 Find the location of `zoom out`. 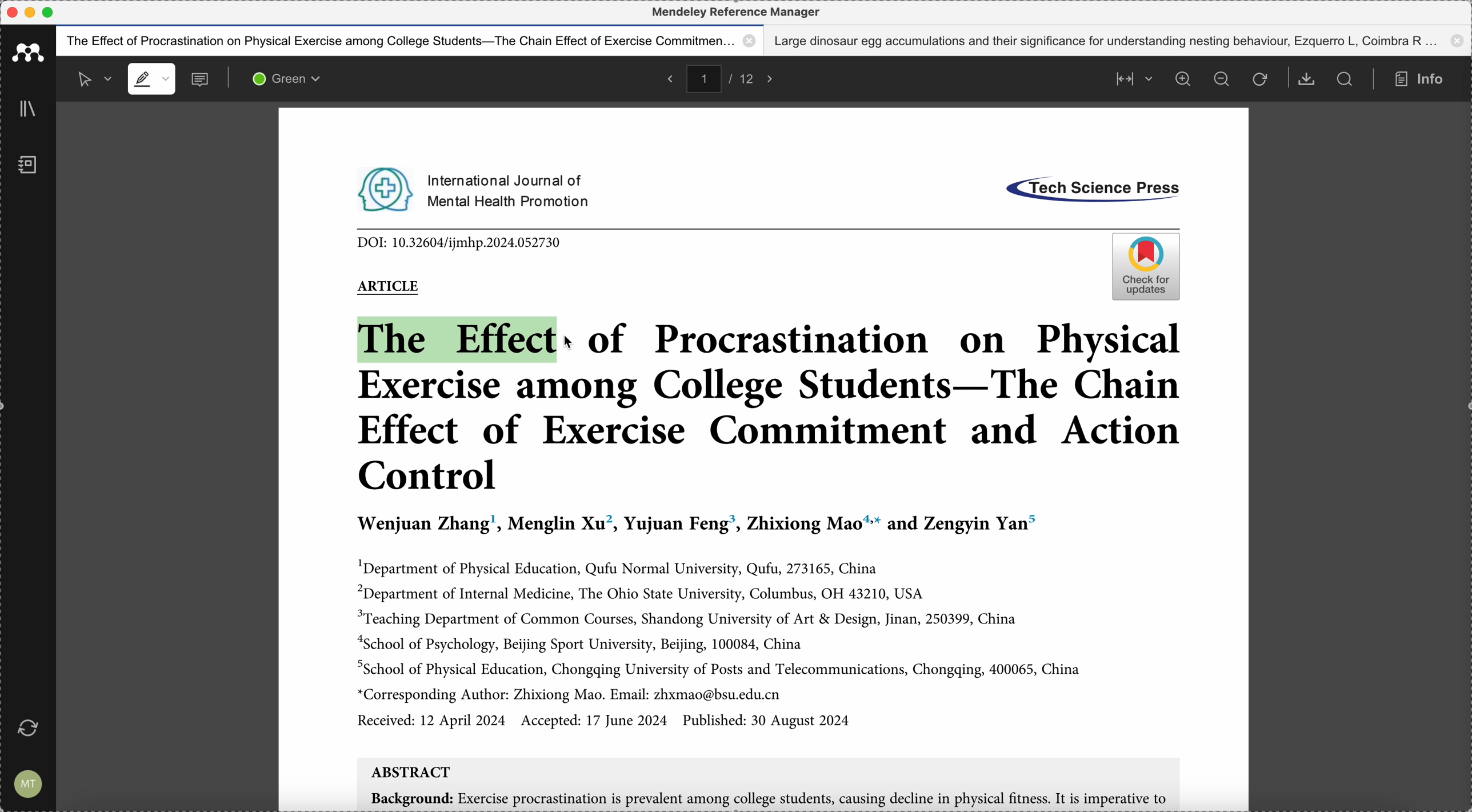

zoom out is located at coordinates (1223, 80).